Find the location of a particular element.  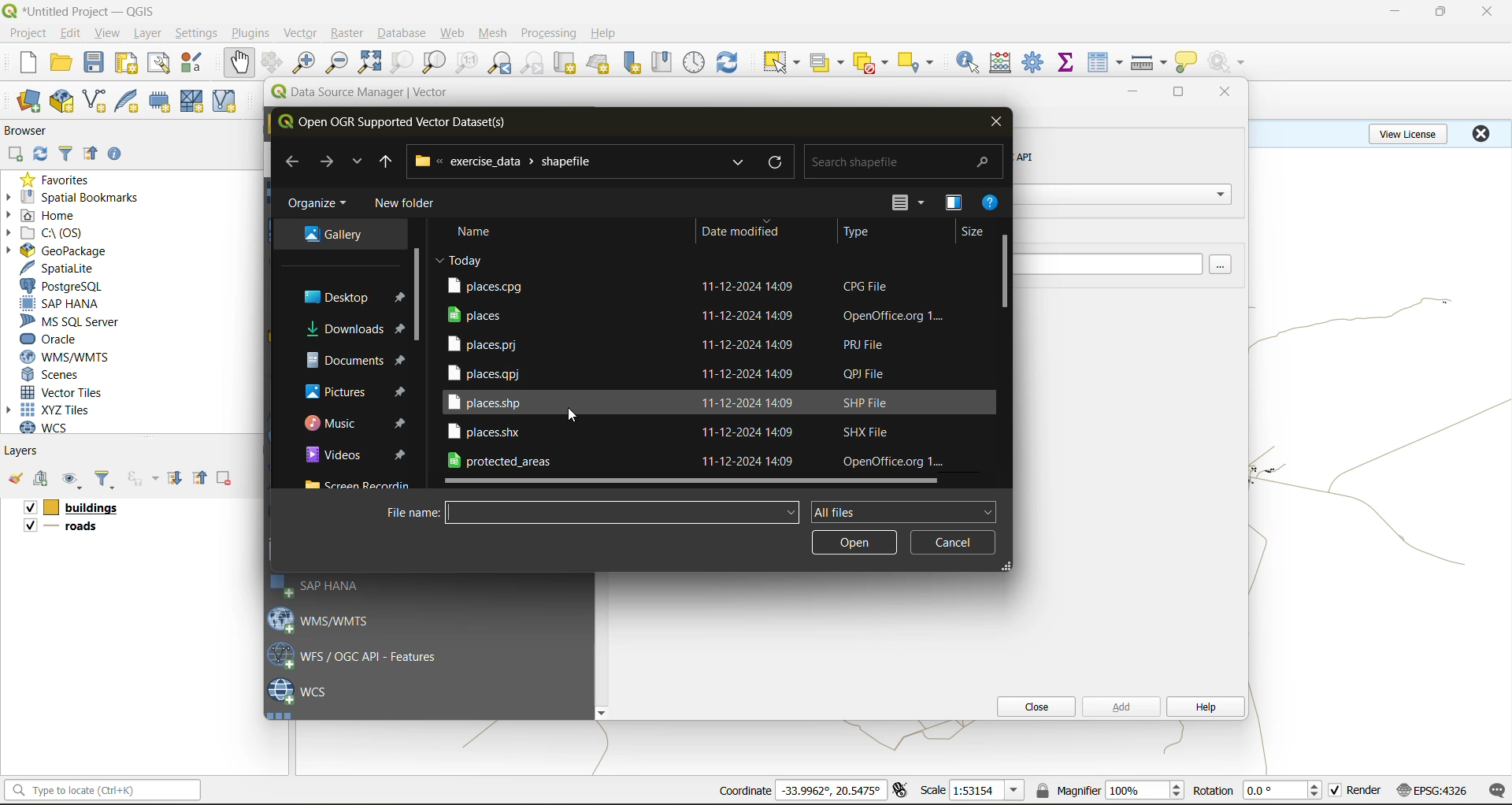

coordinates is located at coordinates (744, 791).